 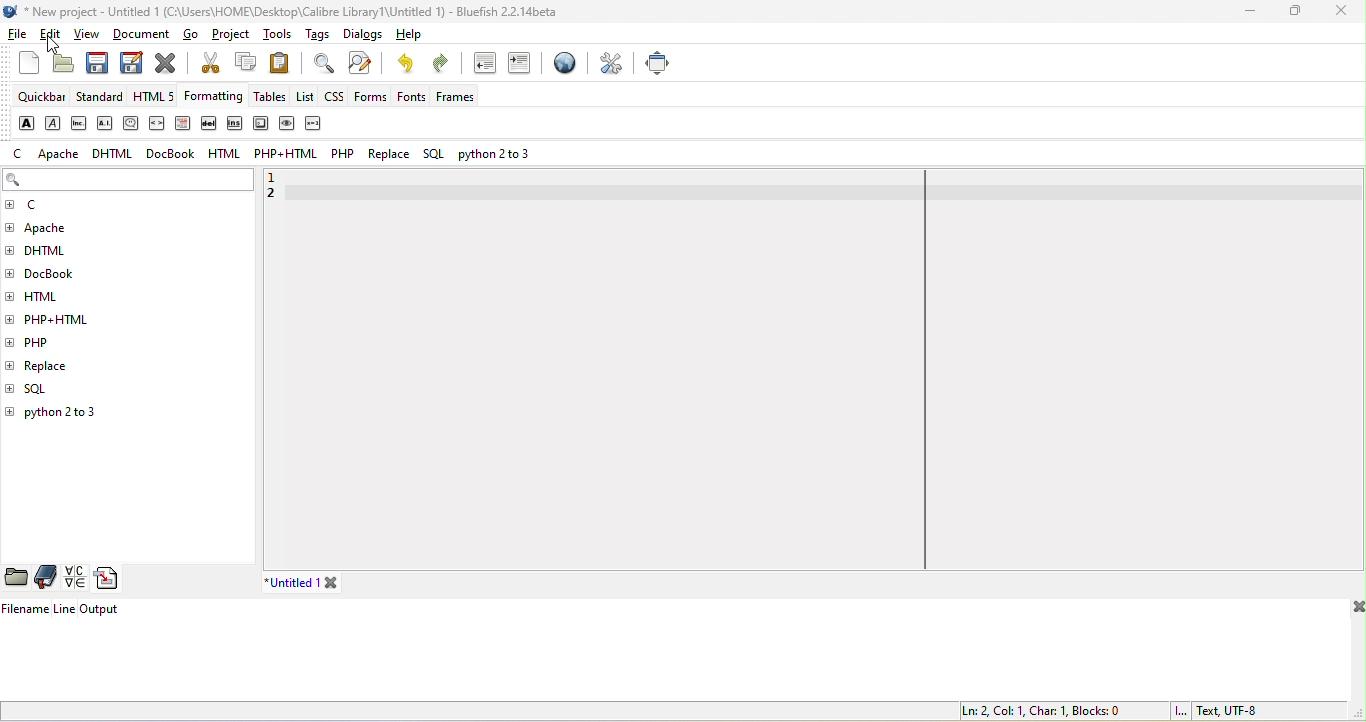 What do you see at coordinates (445, 66) in the screenshot?
I see `redo` at bounding box center [445, 66].